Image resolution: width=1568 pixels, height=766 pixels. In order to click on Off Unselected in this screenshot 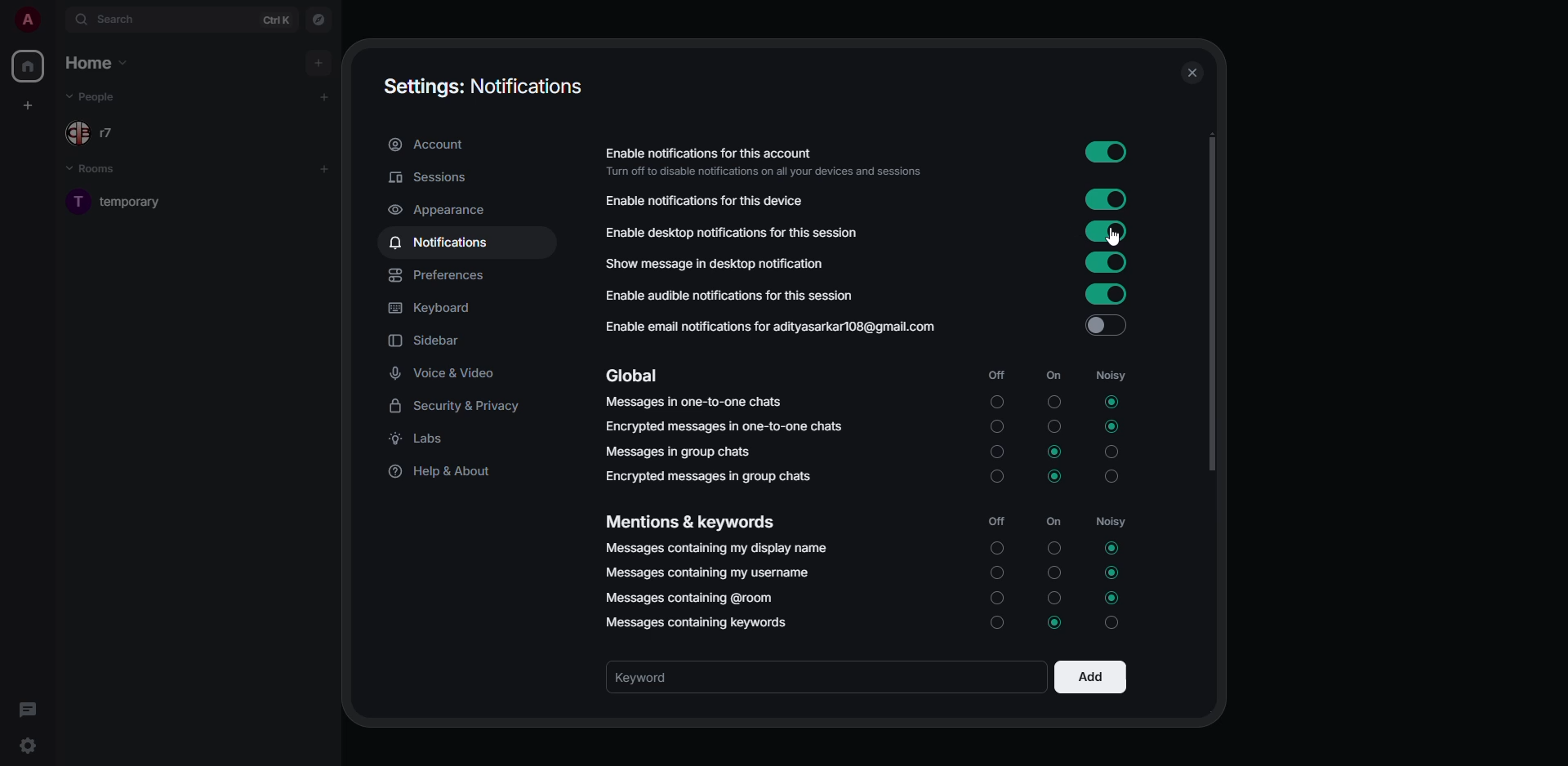, I will do `click(996, 571)`.